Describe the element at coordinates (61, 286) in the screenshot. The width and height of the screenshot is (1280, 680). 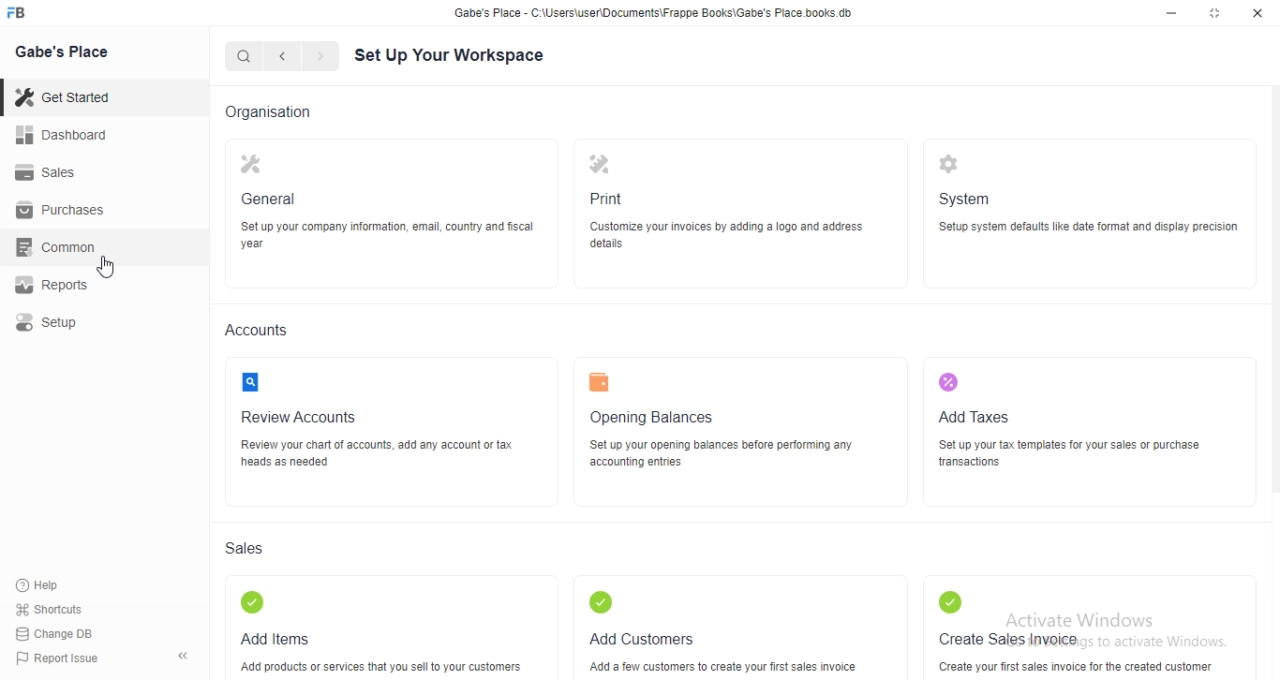
I see `Reports` at that location.